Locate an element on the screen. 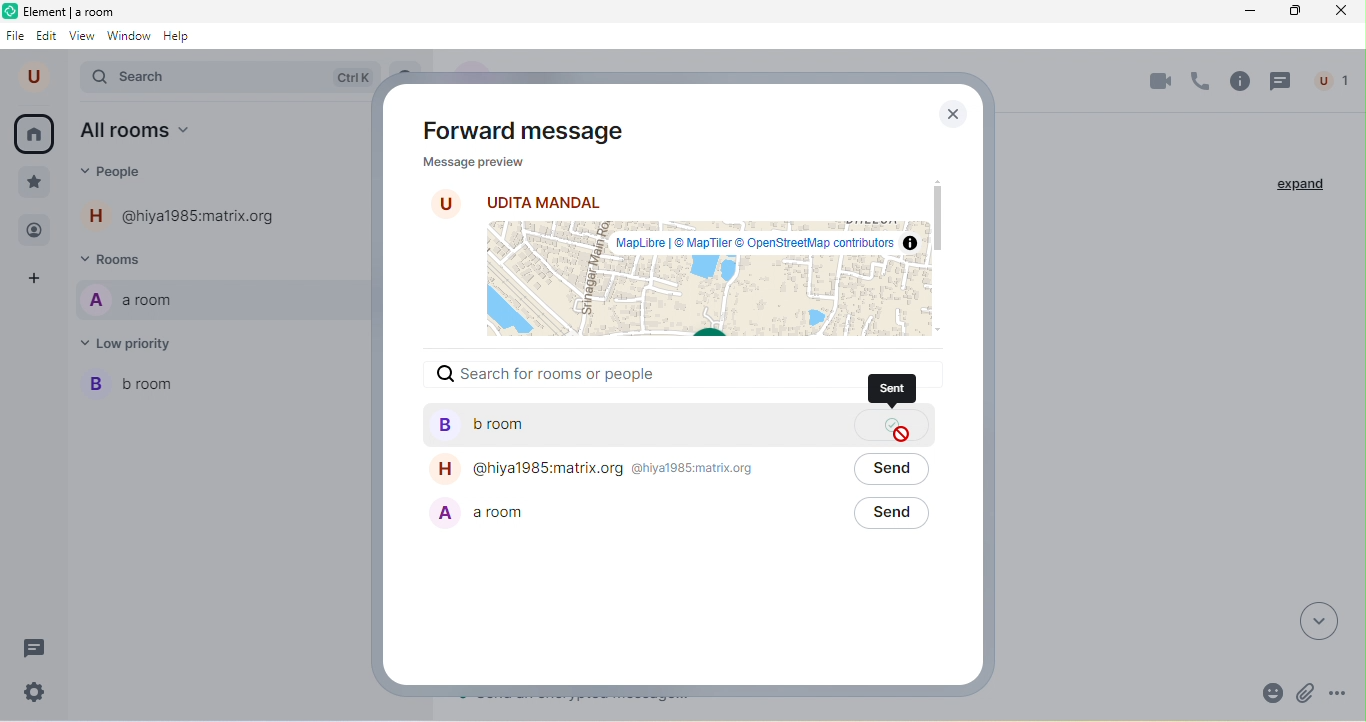 The width and height of the screenshot is (1366, 722). people is located at coordinates (1336, 81).